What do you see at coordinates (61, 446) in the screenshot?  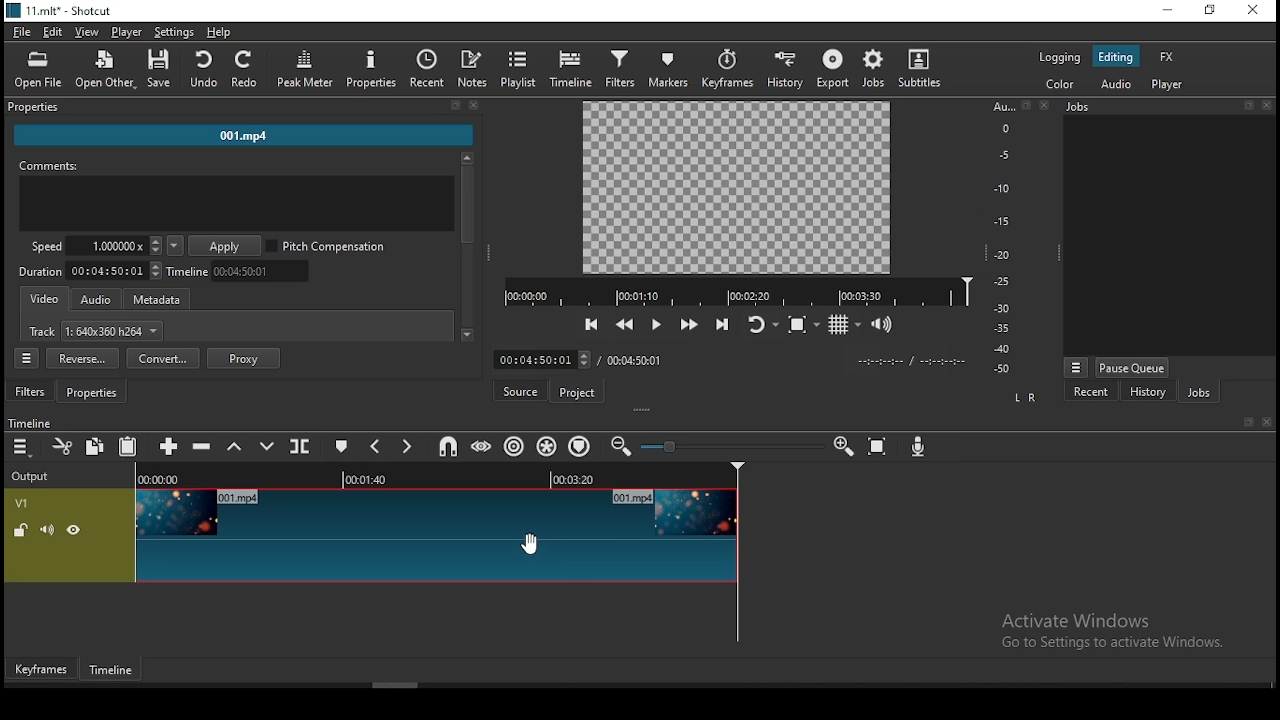 I see `cut` at bounding box center [61, 446].